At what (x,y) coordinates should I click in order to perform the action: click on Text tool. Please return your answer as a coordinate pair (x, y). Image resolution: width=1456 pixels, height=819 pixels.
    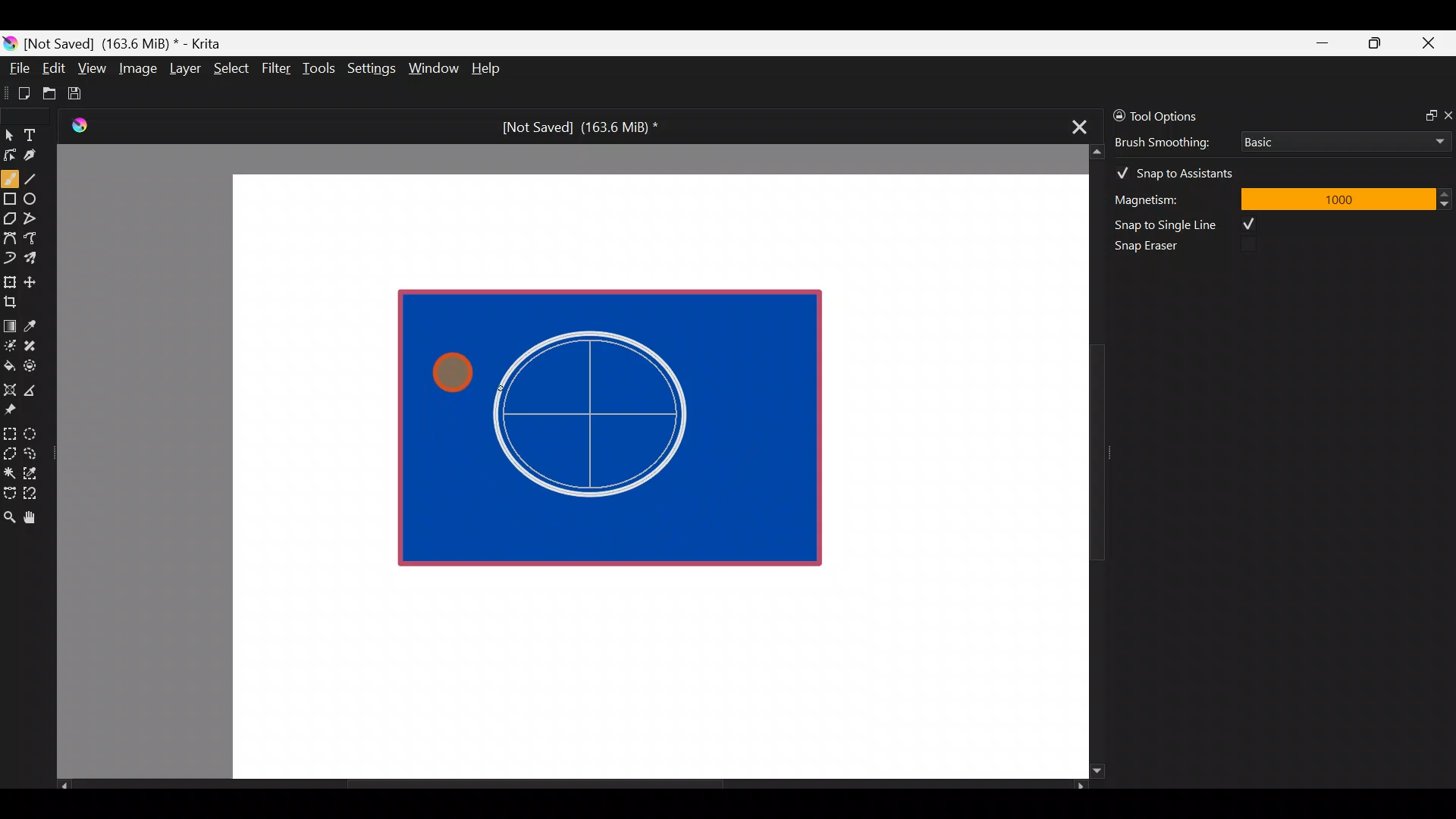
    Looking at the image, I should click on (38, 134).